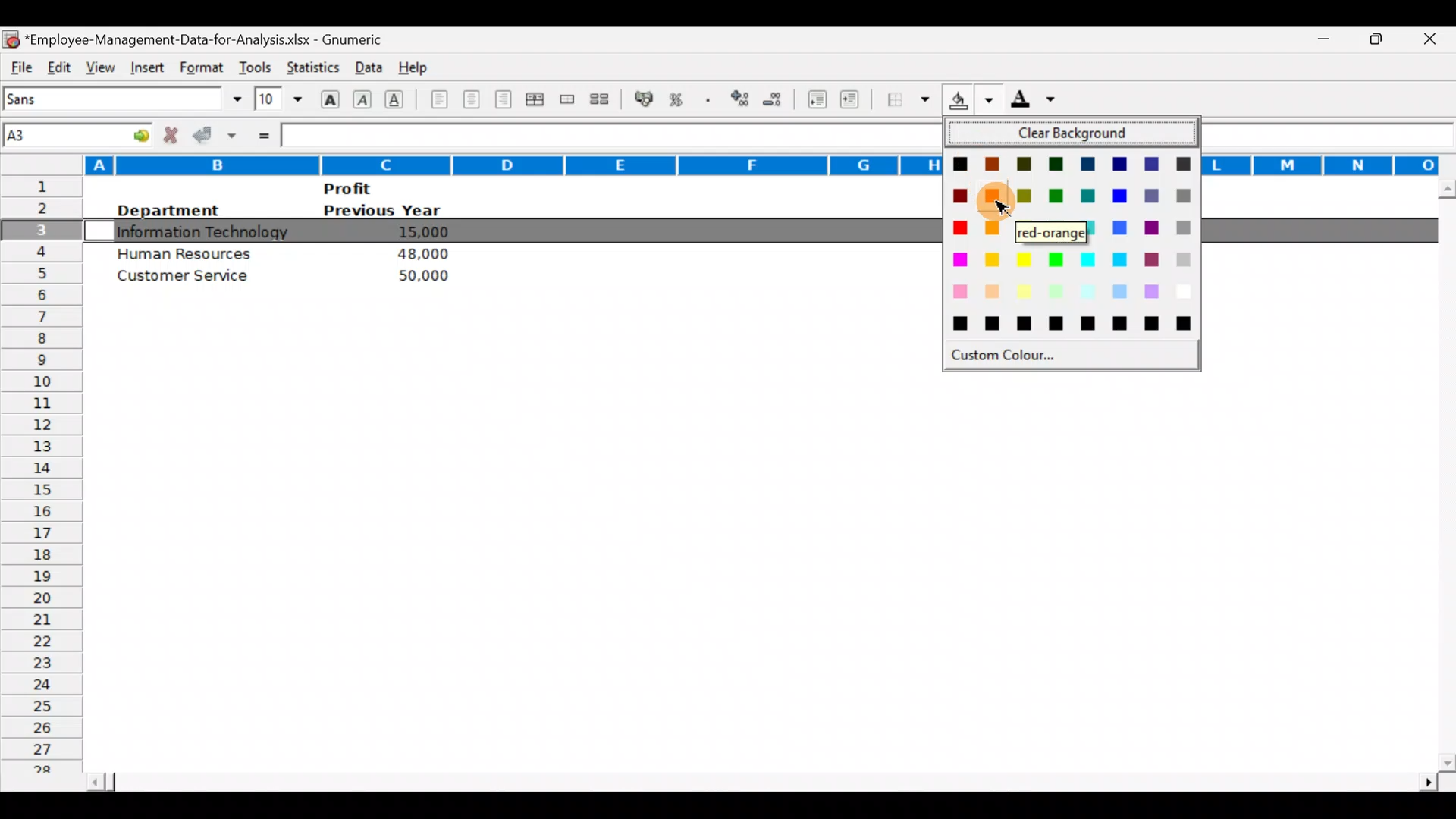 The width and height of the screenshot is (1456, 819). What do you see at coordinates (167, 210) in the screenshot?
I see `Department` at bounding box center [167, 210].